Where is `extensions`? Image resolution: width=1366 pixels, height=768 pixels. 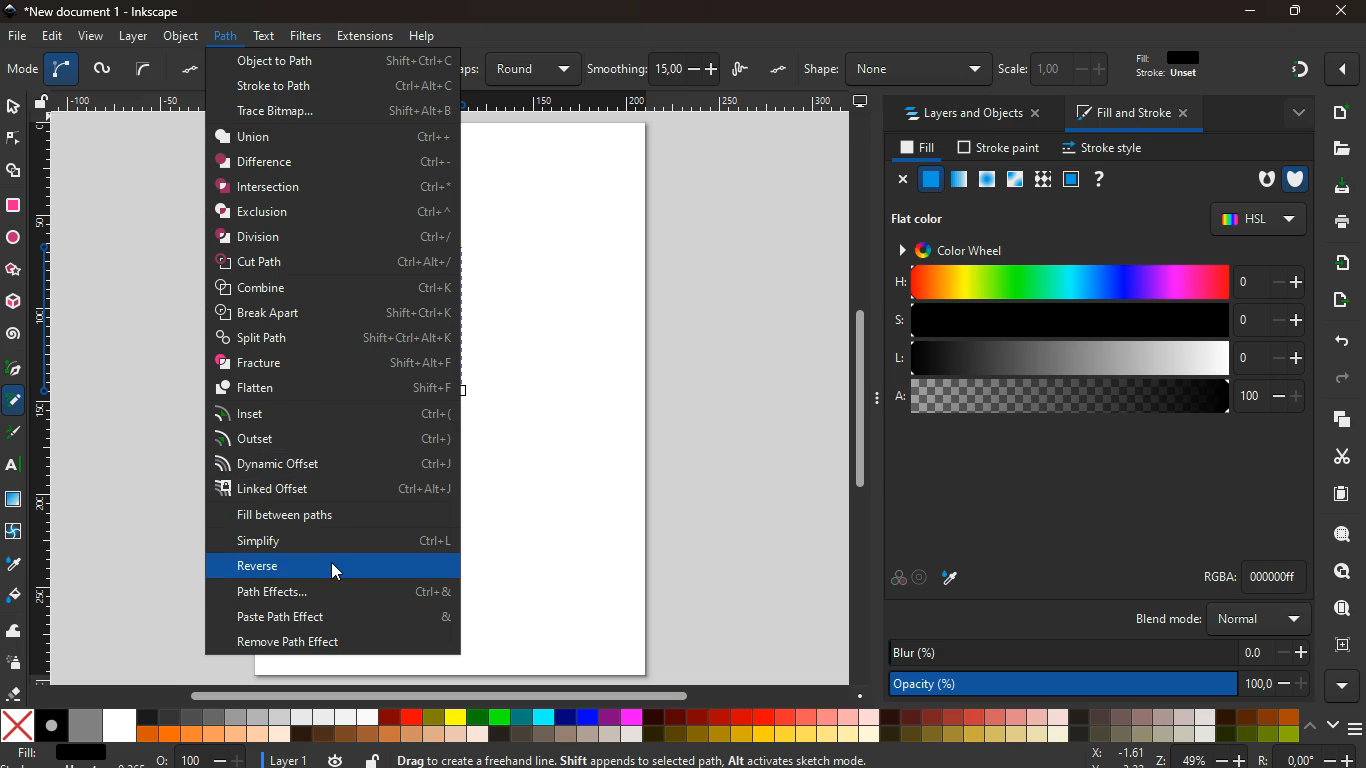
extensions is located at coordinates (365, 36).